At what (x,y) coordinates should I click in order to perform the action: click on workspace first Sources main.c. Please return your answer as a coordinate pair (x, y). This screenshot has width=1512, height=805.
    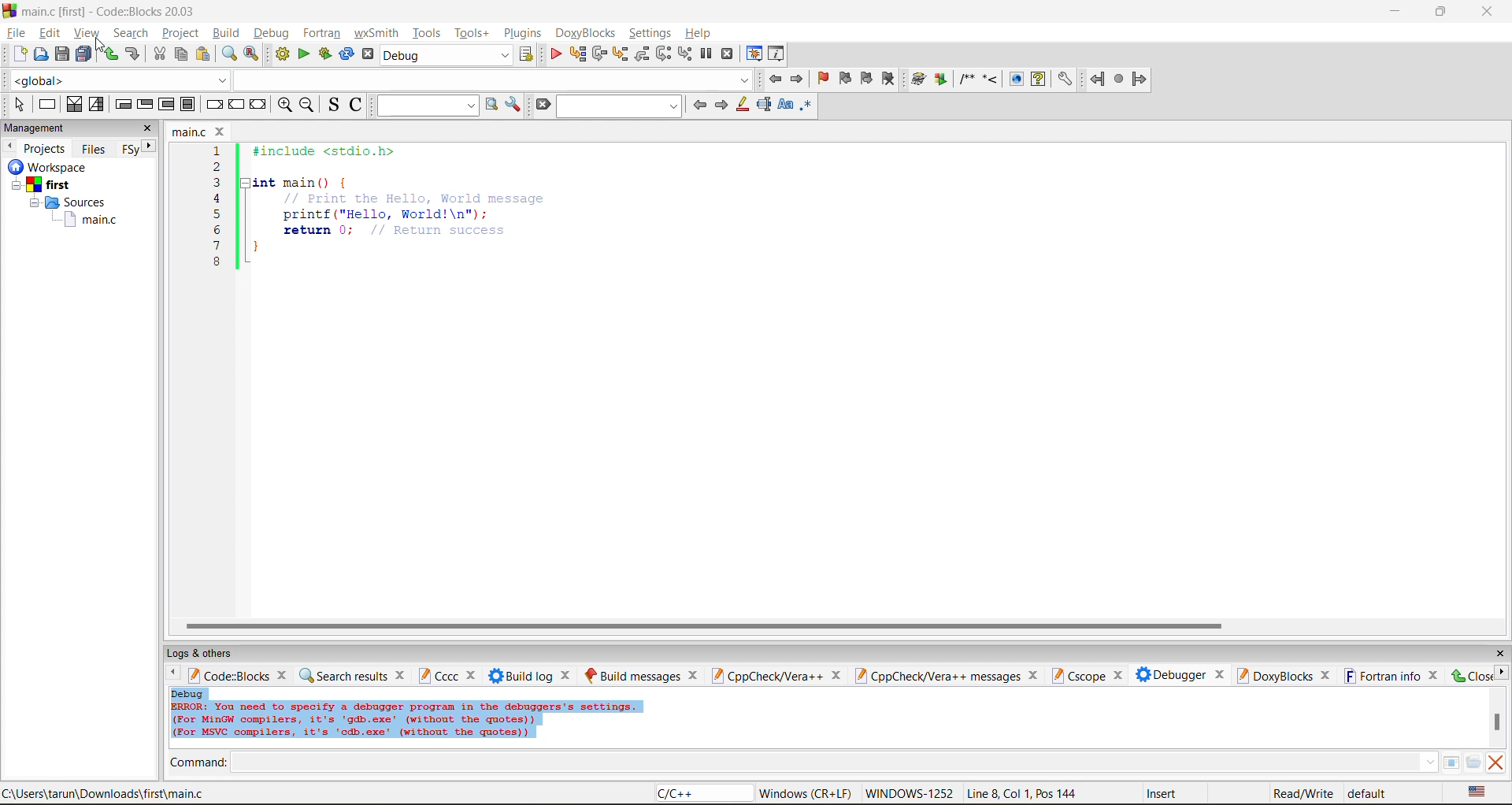
    Looking at the image, I should click on (71, 198).